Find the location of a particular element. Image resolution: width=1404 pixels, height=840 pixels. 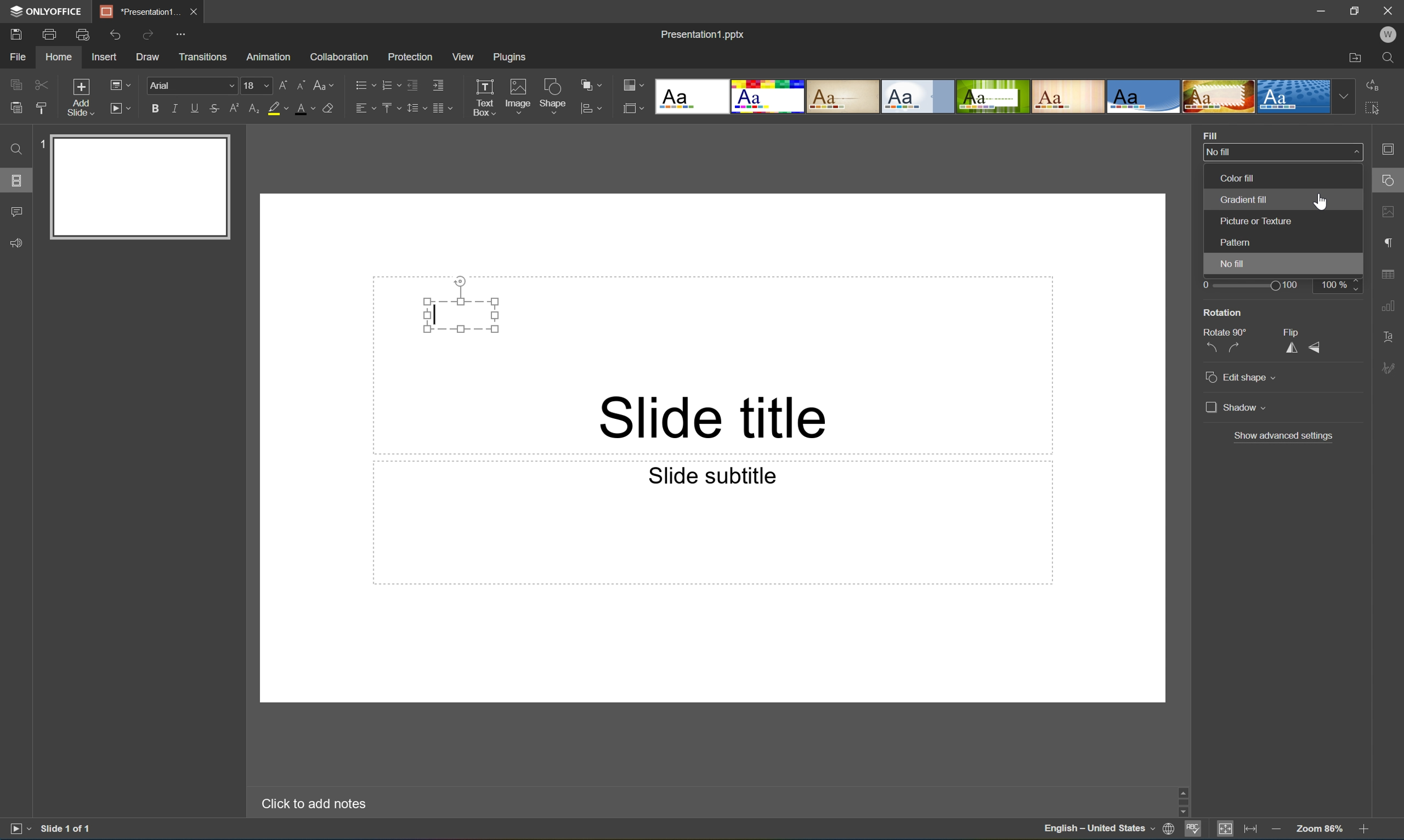

Replace is located at coordinates (1372, 83).